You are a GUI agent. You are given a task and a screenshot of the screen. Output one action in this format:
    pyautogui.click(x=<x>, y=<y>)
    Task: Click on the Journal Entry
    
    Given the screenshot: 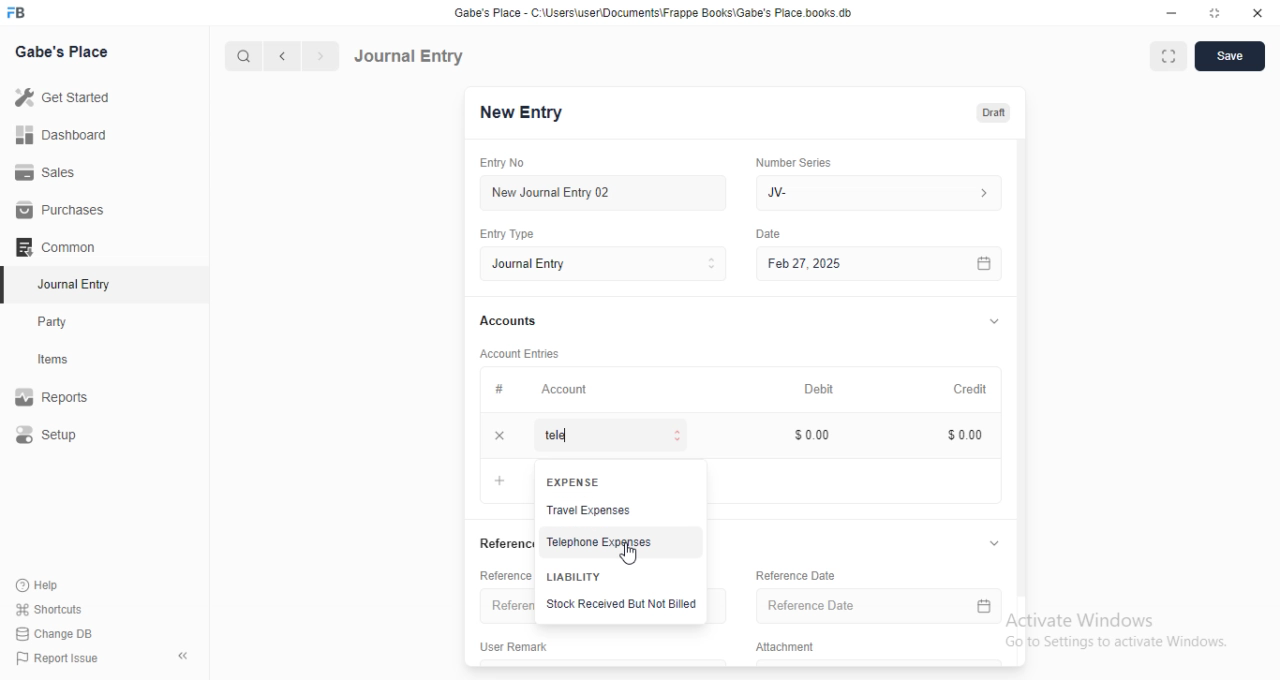 What is the action you would take?
    pyautogui.click(x=412, y=55)
    